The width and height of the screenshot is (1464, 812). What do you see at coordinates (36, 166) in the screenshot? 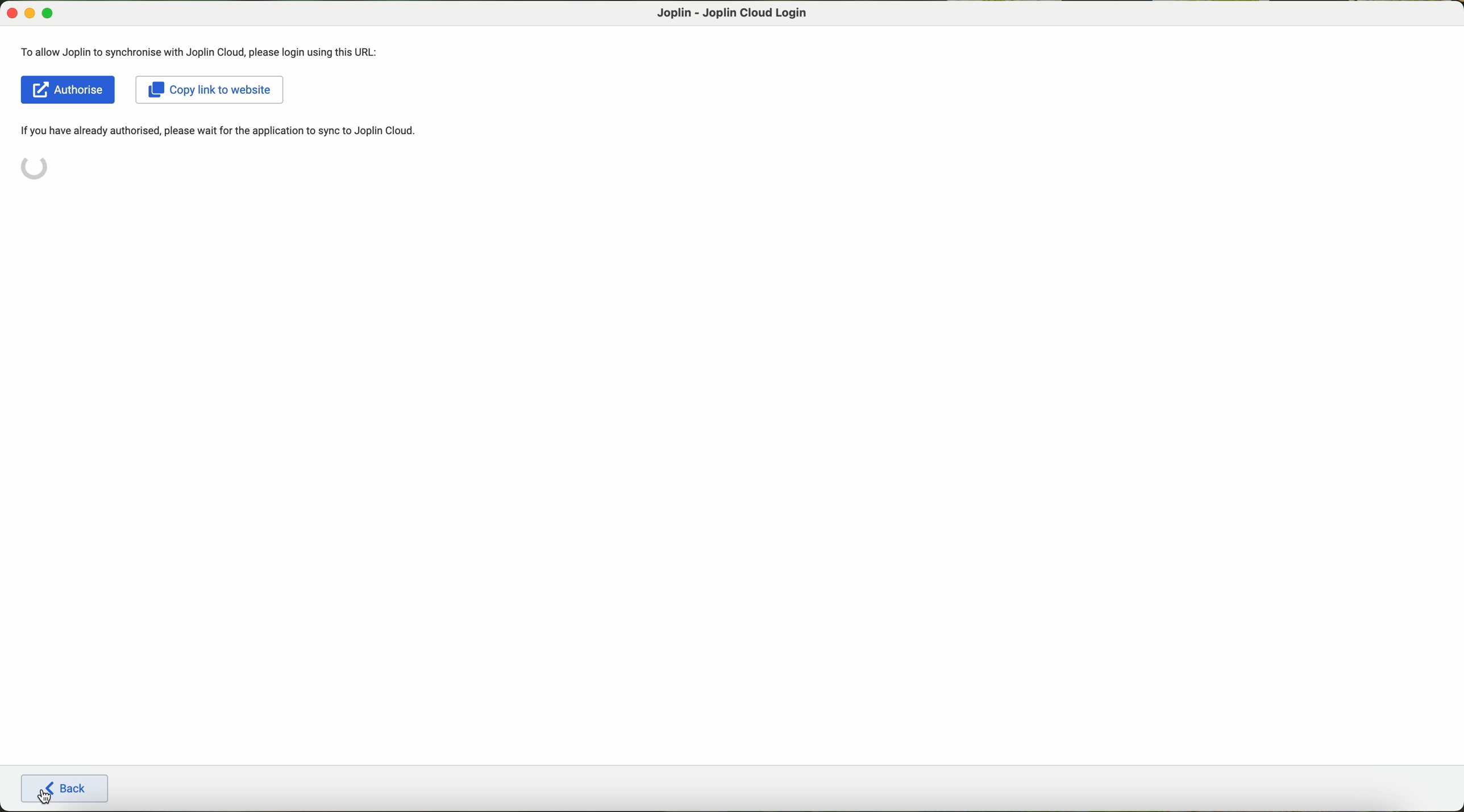
I see `loading icon` at bounding box center [36, 166].